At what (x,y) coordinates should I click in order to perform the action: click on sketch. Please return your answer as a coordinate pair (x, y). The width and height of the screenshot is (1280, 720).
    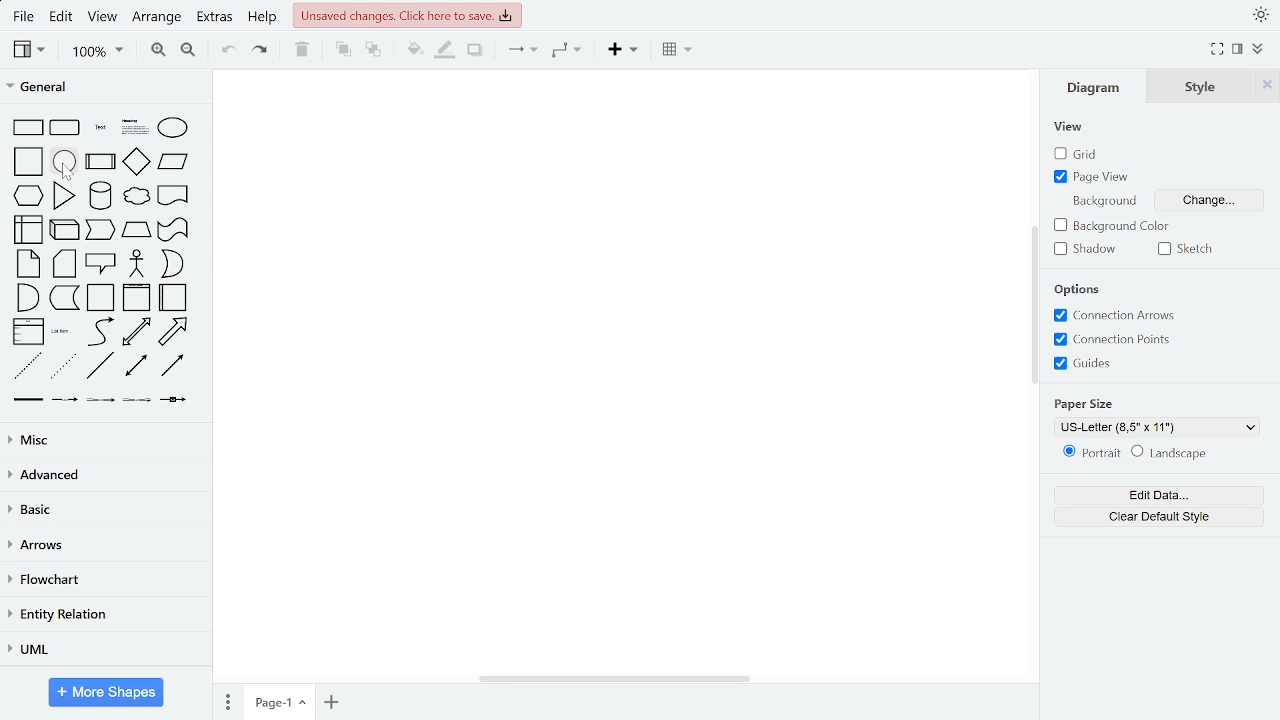
    Looking at the image, I should click on (1189, 251).